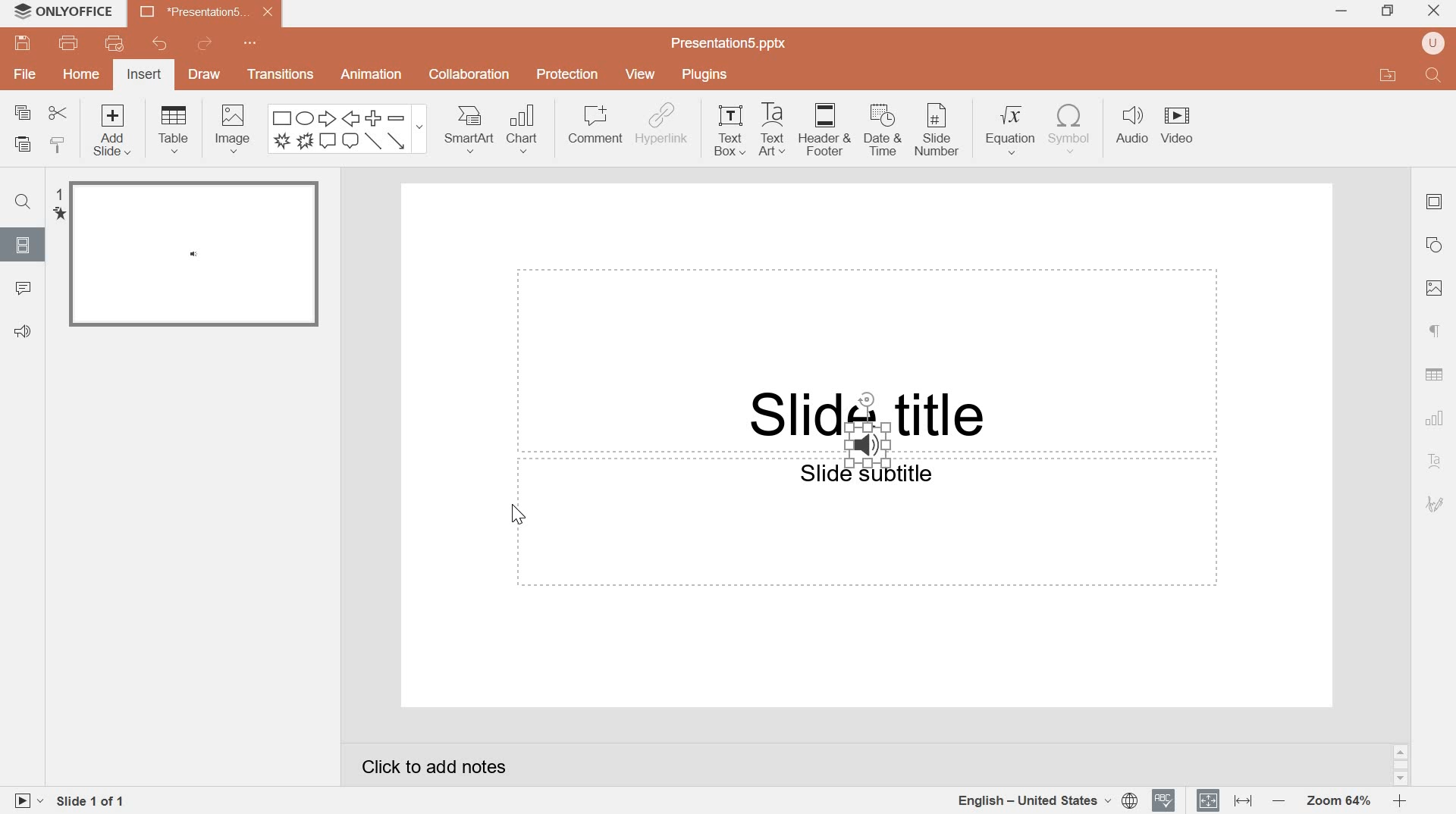  What do you see at coordinates (24, 289) in the screenshot?
I see `comments` at bounding box center [24, 289].